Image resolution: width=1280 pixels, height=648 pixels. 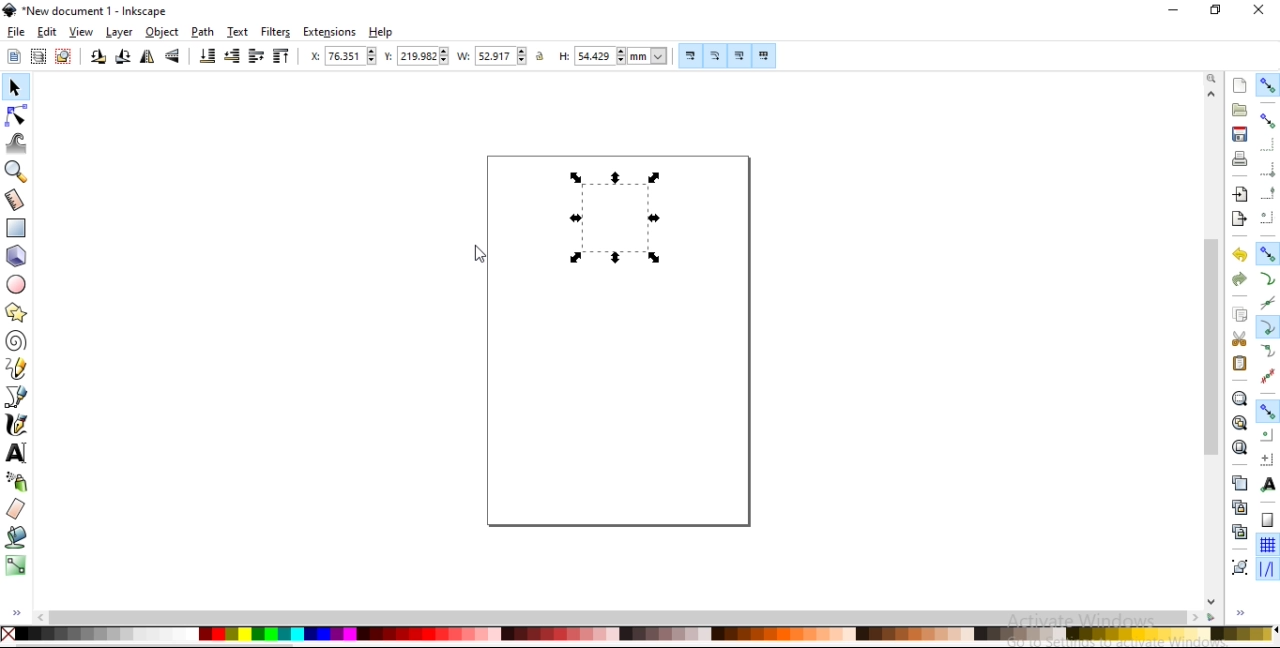 I want to click on snap to path intersections, so click(x=1266, y=301).